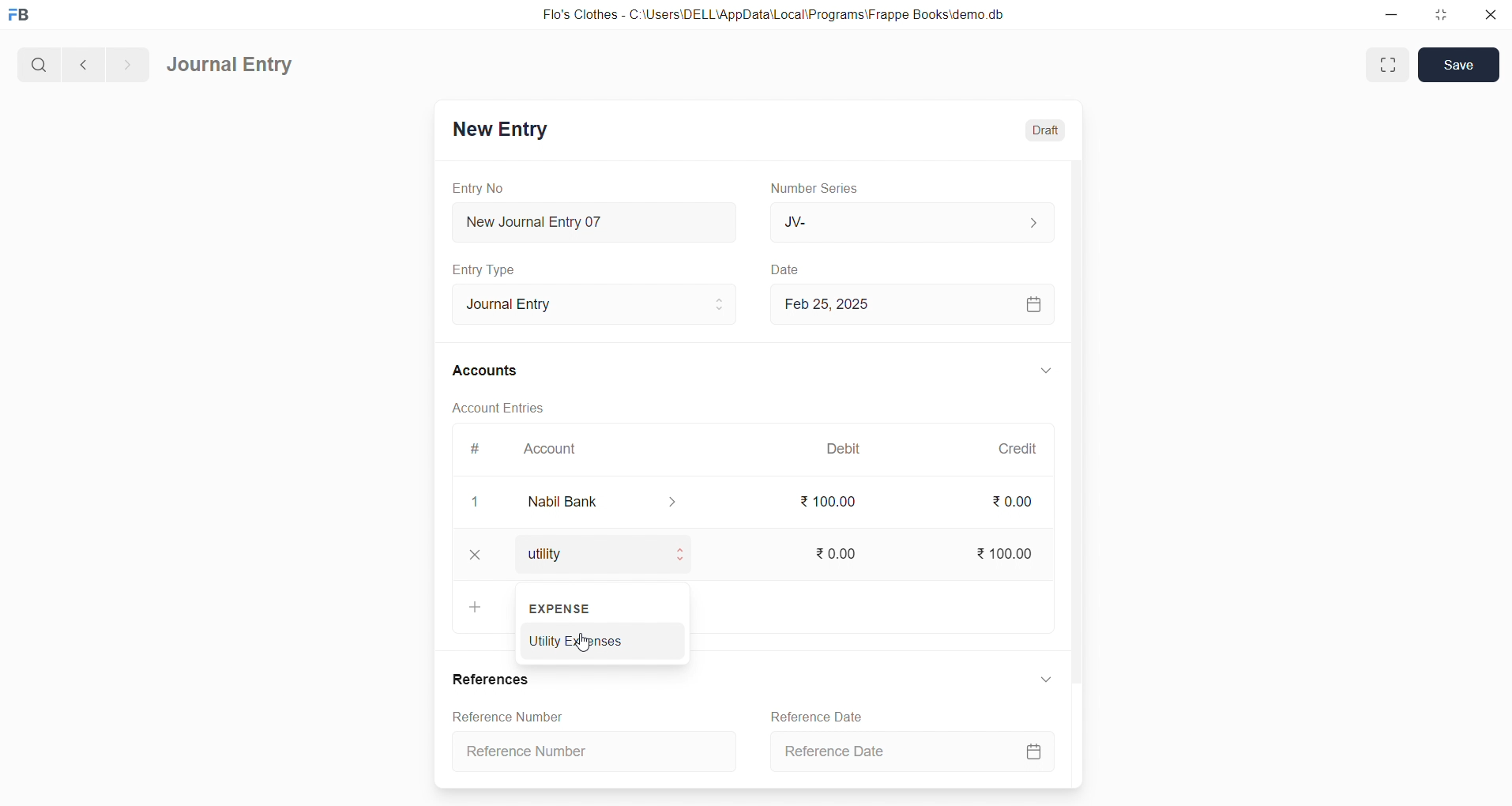 This screenshot has height=806, width=1512. I want to click on resize, so click(1439, 14).